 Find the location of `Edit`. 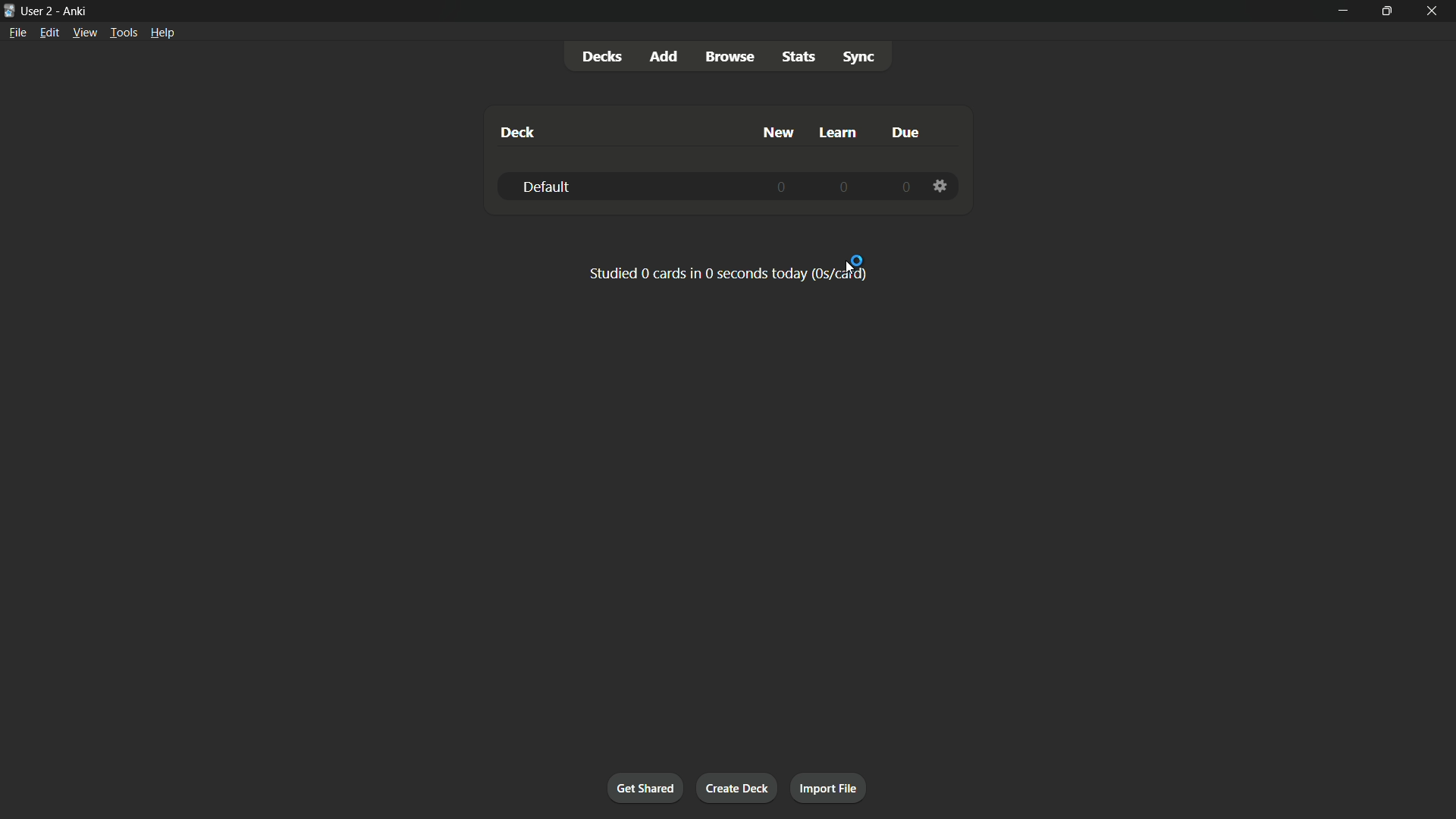

Edit is located at coordinates (49, 32).